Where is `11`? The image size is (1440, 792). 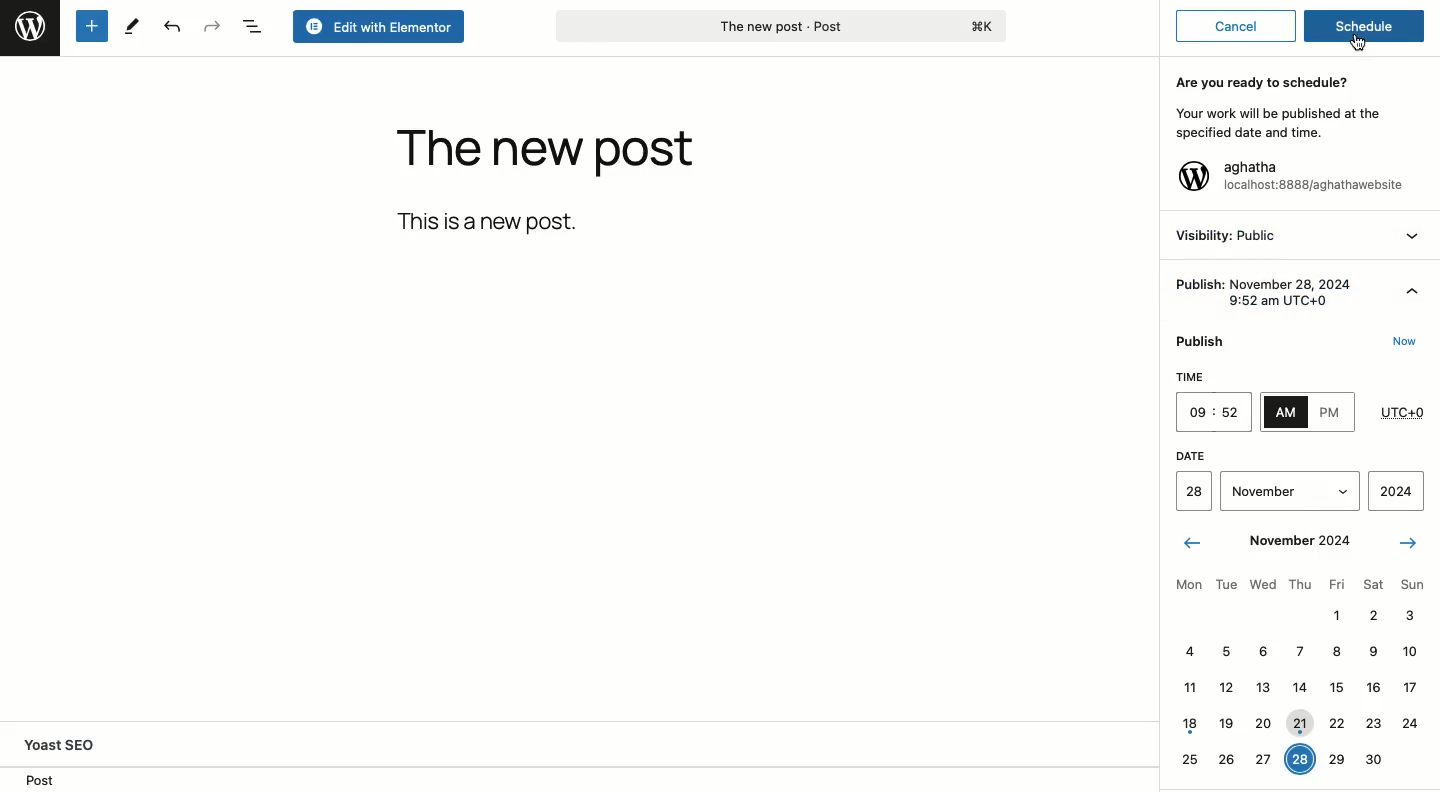 11 is located at coordinates (1190, 685).